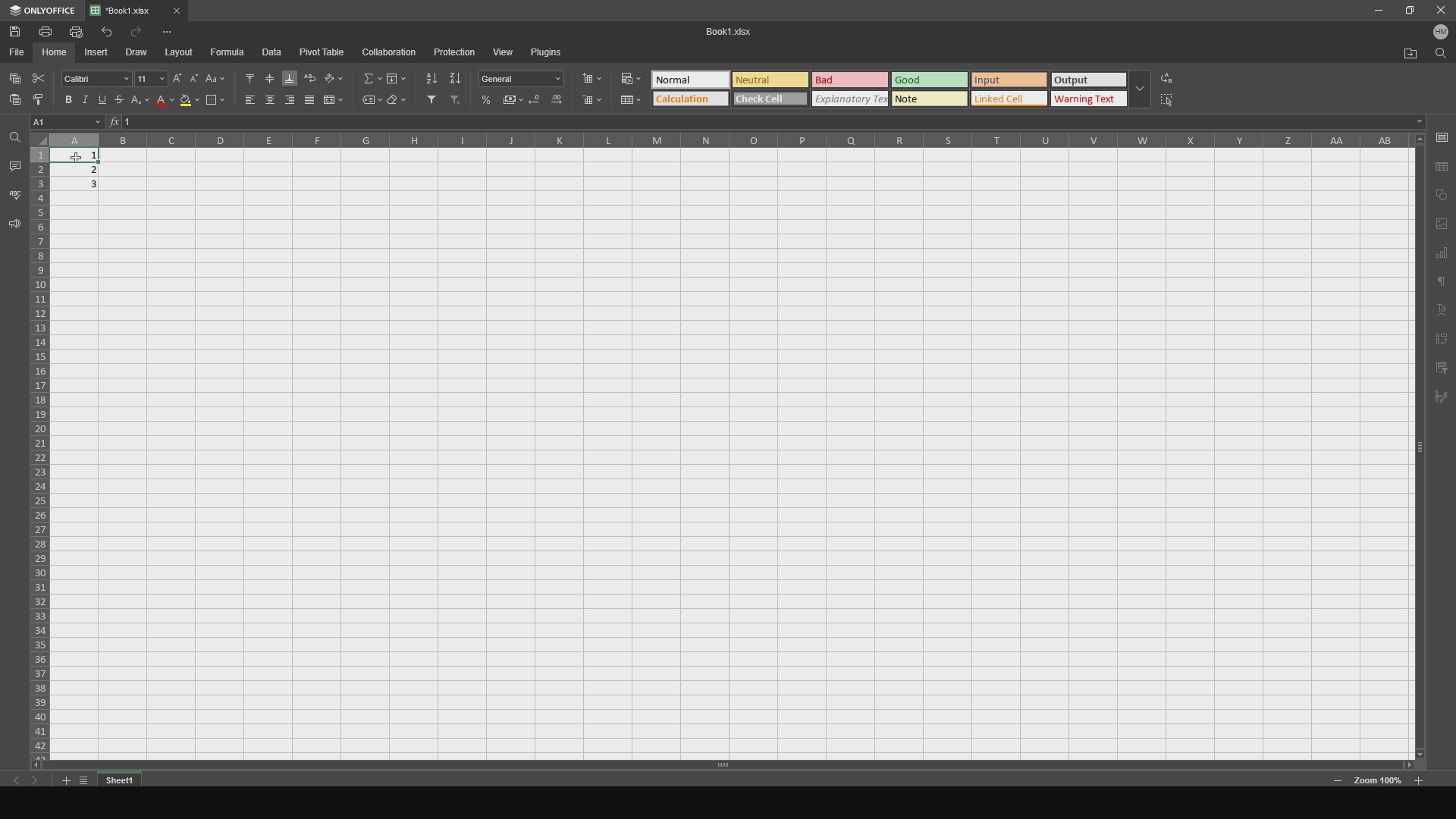 This screenshot has height=819, width=1456. Describe the element at coordinates (149, 77) in the screenshot. I see `font size` at that location.